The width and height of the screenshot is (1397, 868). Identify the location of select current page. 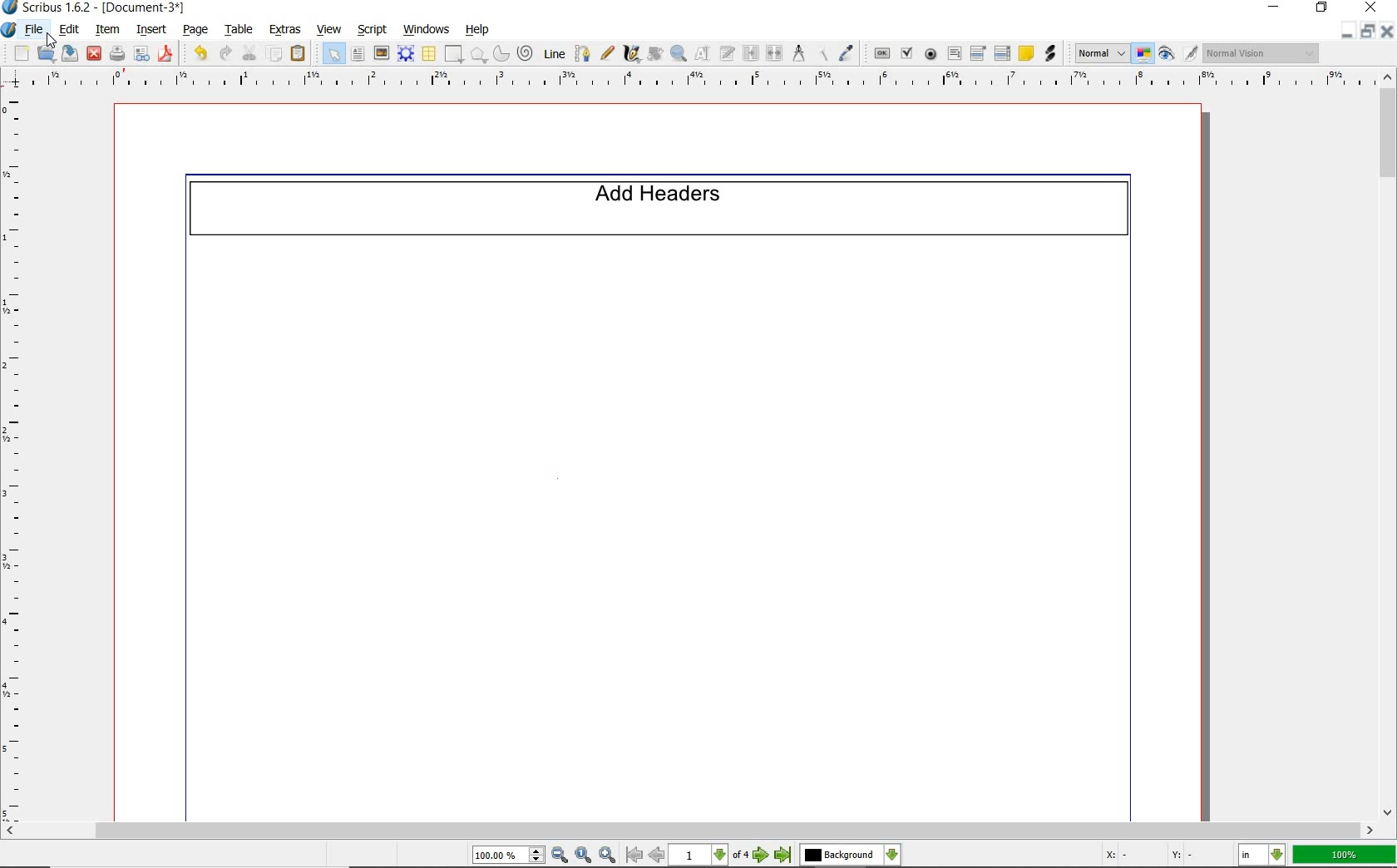
(711, 856).